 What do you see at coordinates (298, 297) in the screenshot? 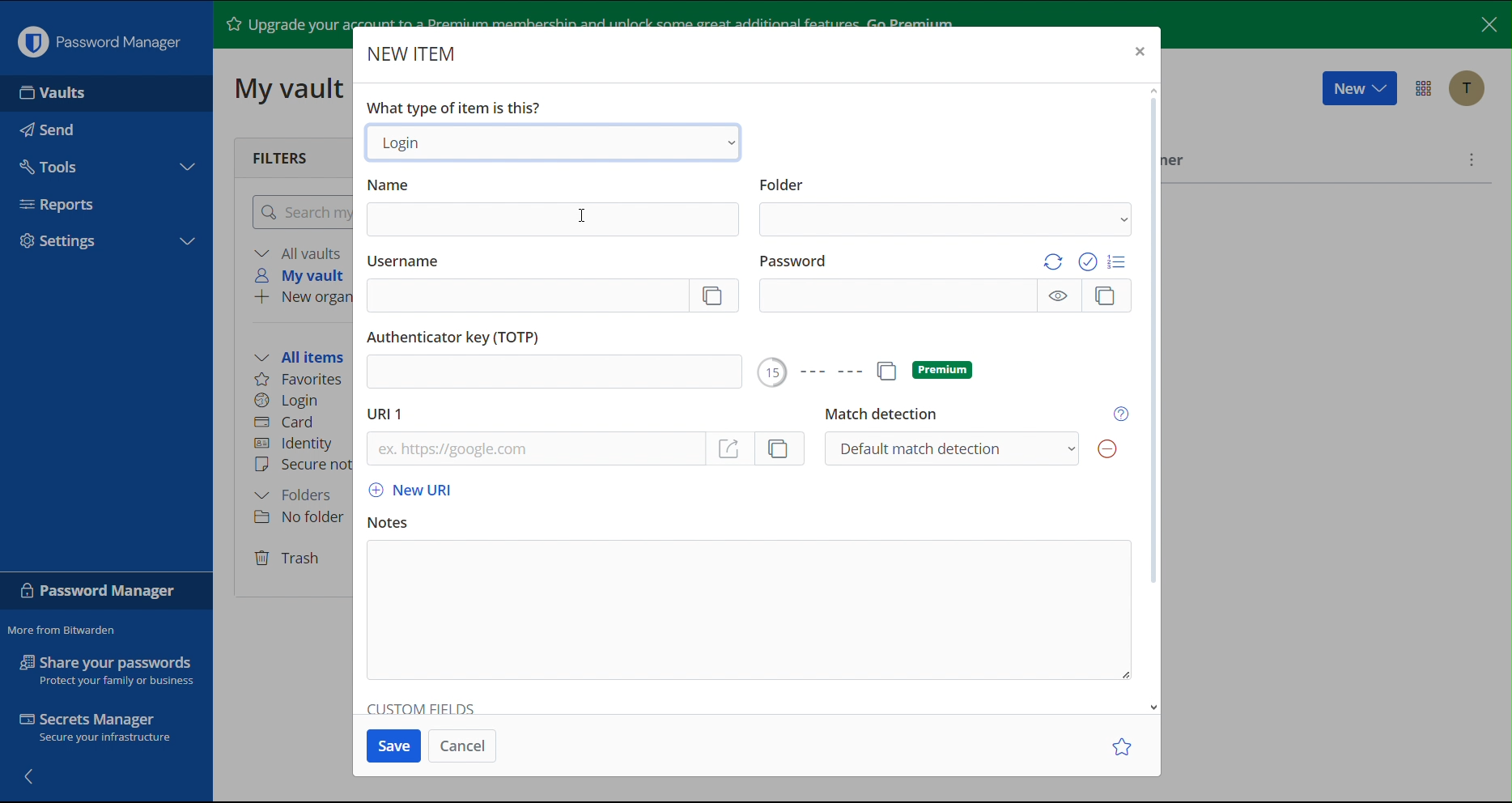
I see `New organization` at bounding box center [298, 297].